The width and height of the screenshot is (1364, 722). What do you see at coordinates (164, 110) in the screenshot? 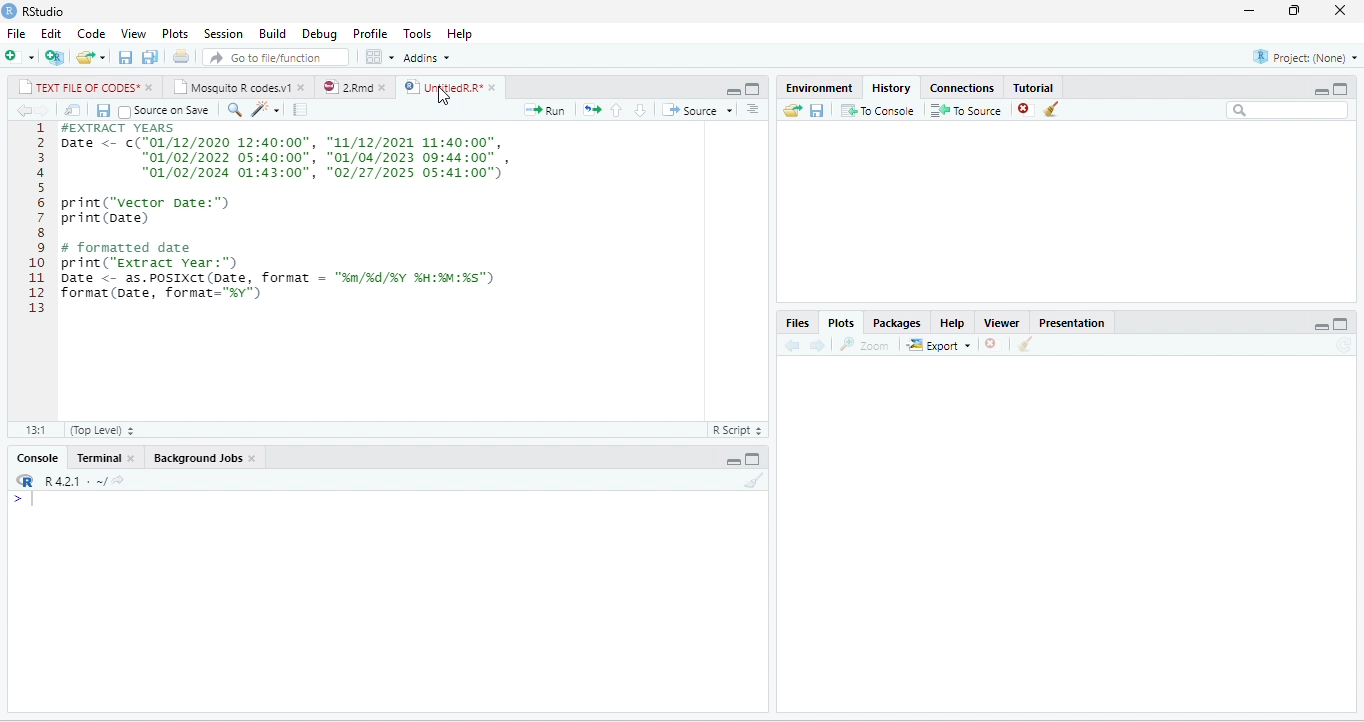
I see `Source on Save` at bounding box center [164, 110].